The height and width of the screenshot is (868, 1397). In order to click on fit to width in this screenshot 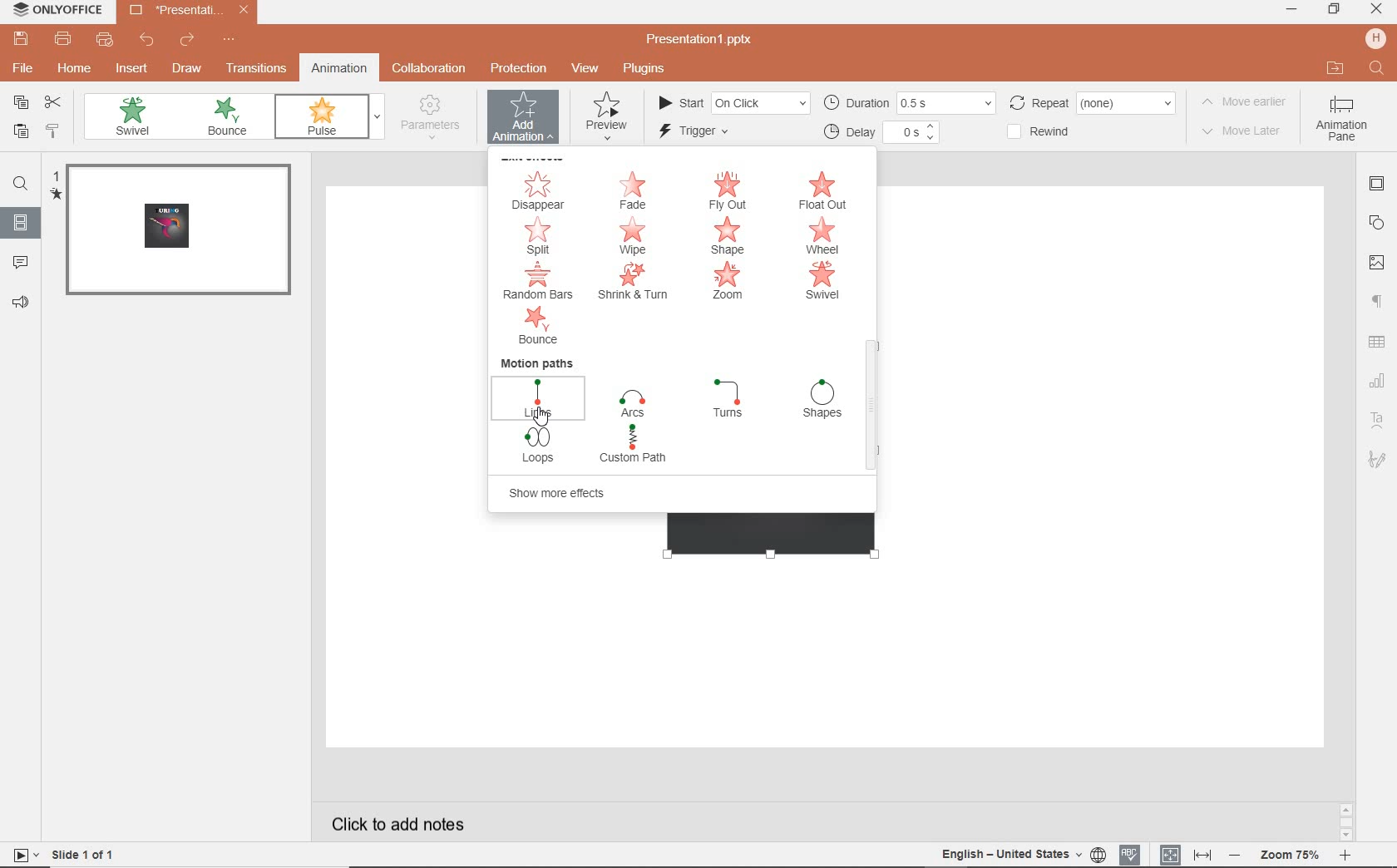, I will do `click(1202, 856)`.